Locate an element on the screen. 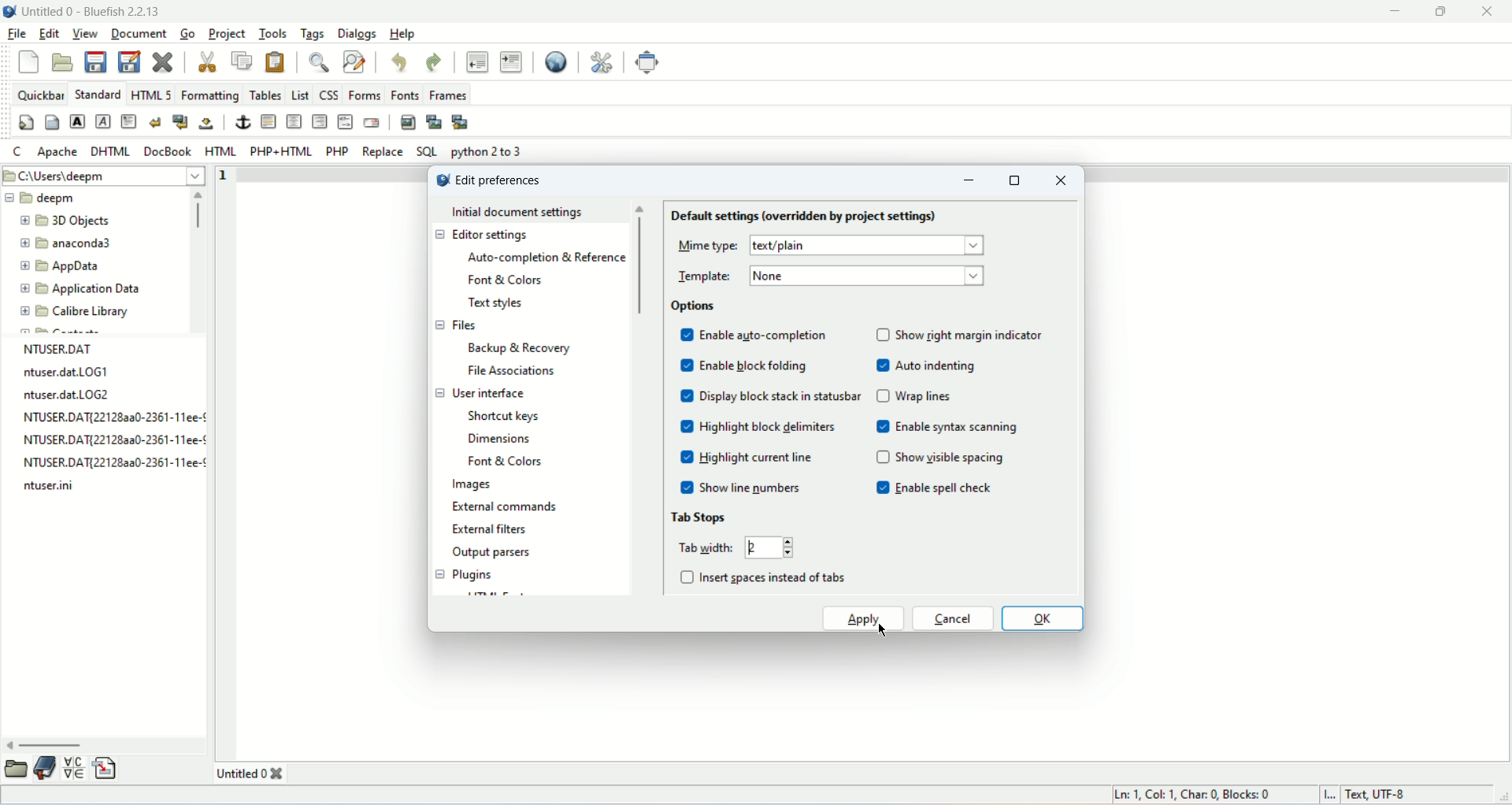 The image size is (1512, 805). charmap is located at coordinates (73, 768).